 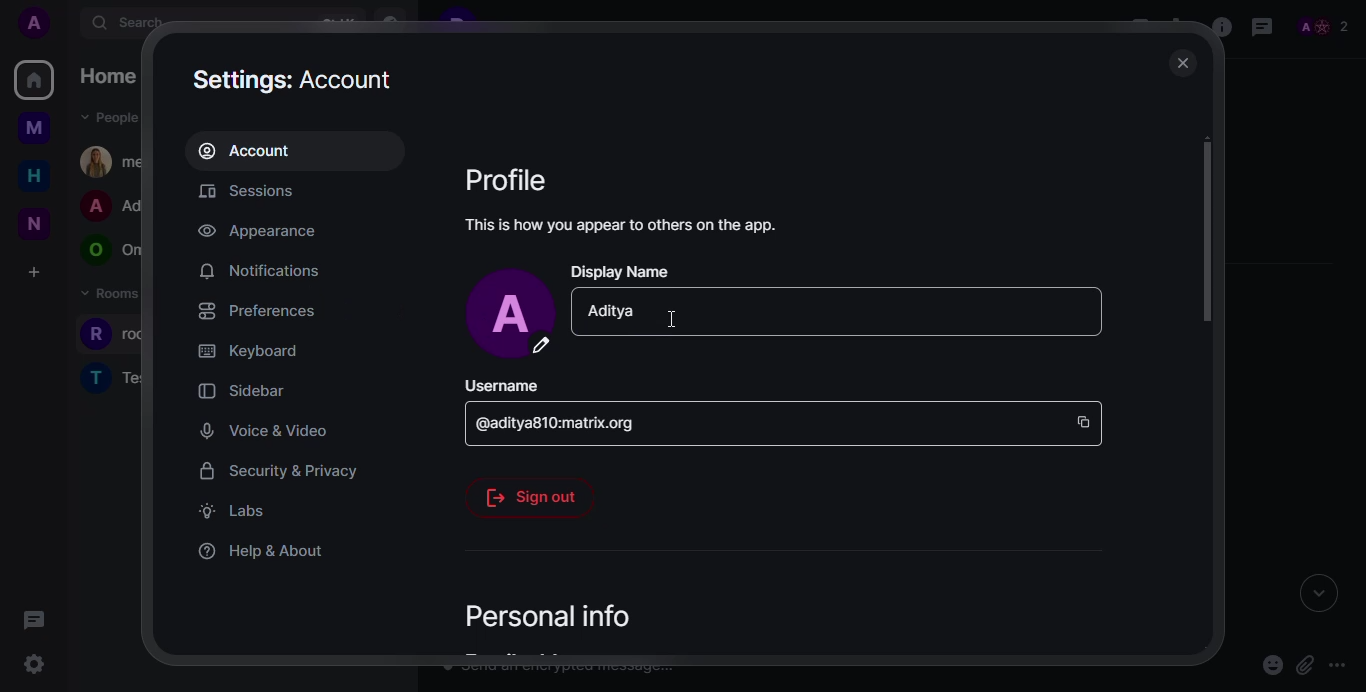 What do you see at coordinates (1312, 593) in the screenshot?
I see `expand` at bounding box center [1312, 593].